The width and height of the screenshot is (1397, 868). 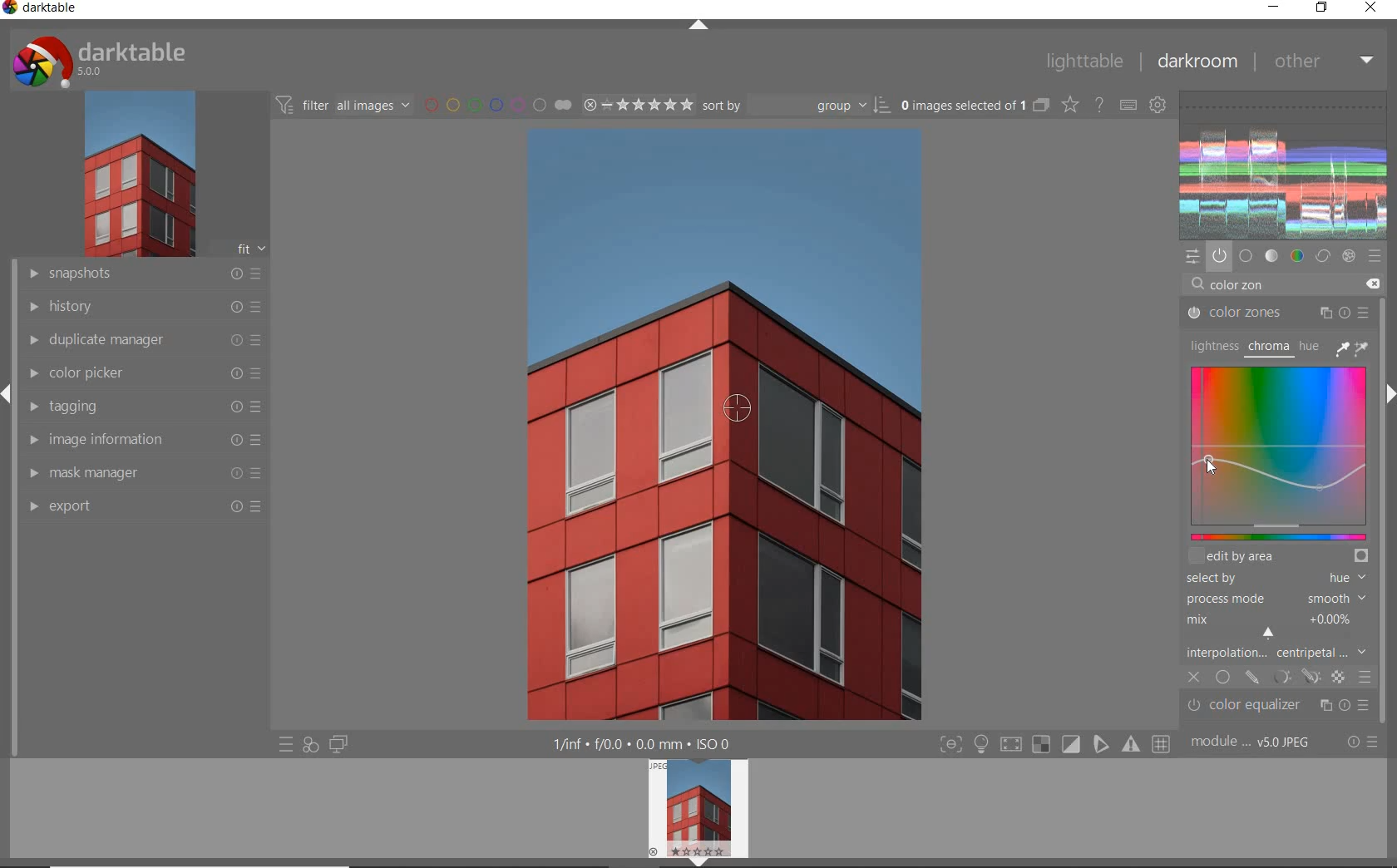 What do you see at coordinates (1194, 678) in the screenshot?
I see `CLOSE` at bounding box center [1194, 678].